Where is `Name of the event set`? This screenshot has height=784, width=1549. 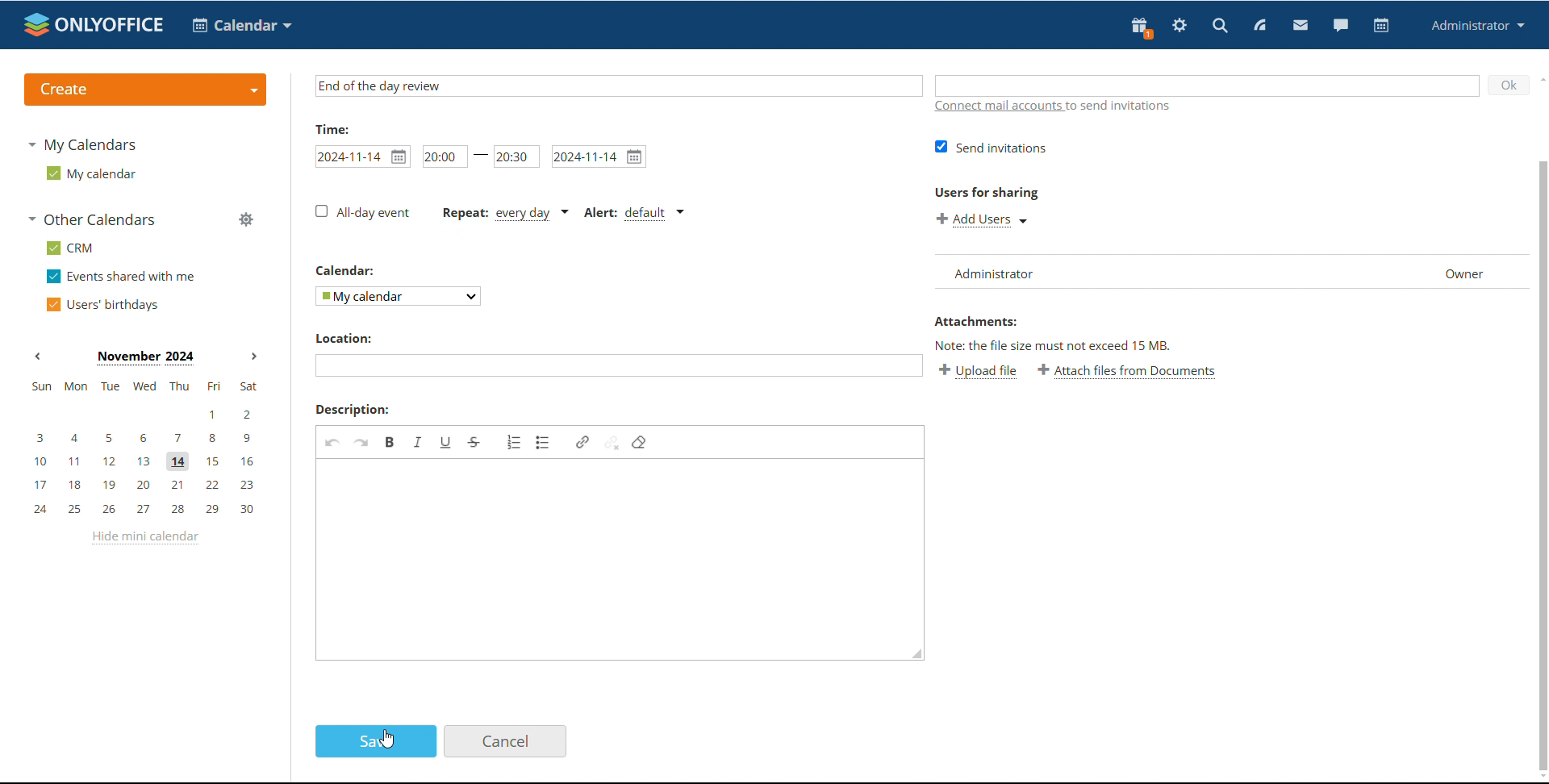
Name of the event set is located at coordinates (390, 85).